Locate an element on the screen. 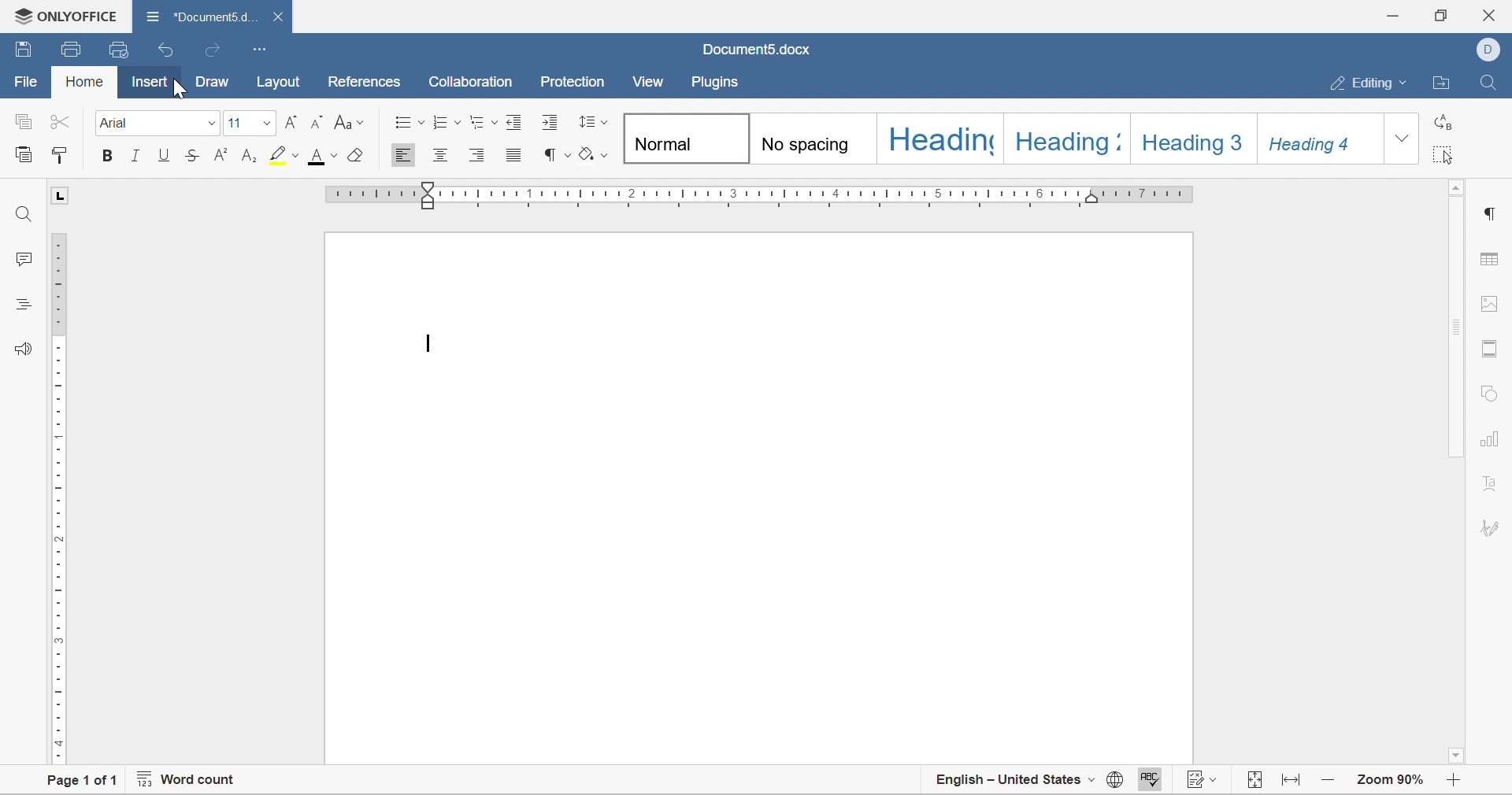 The height and width of the screenshot is (795, 1512). feedback and support is located at coordinates (24, 348).